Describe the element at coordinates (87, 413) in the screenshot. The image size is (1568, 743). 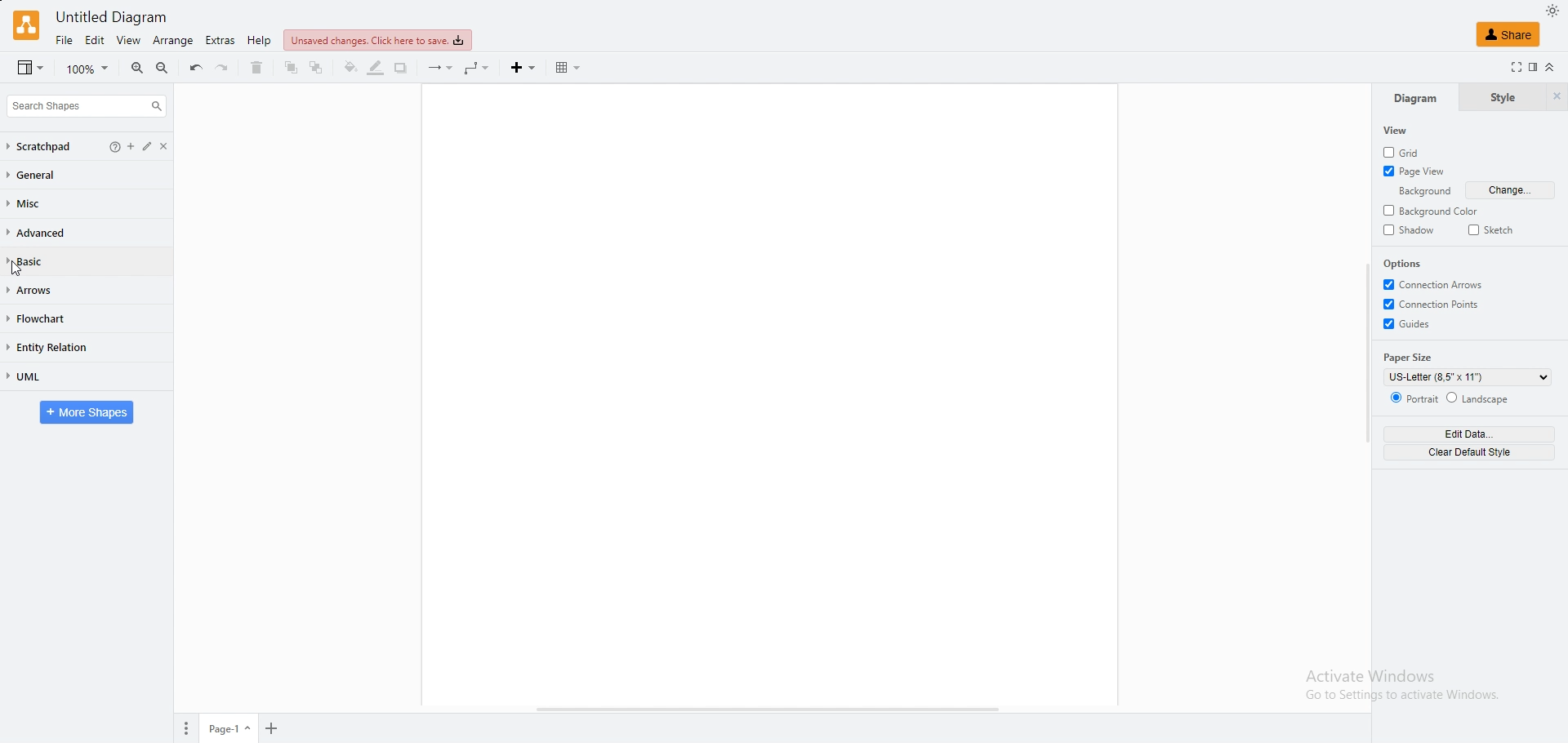
I see `more shapes` at that location.